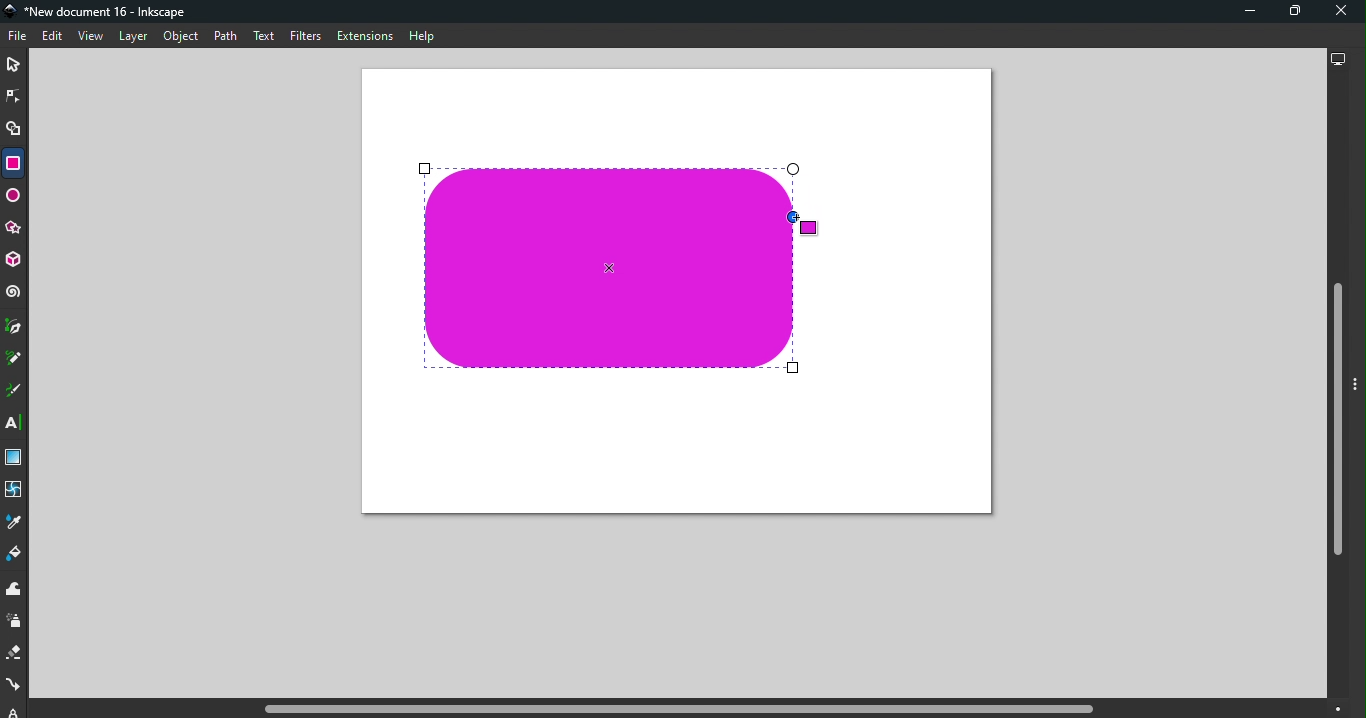 This screenshot has height=718, width=1366. I want to click on Cursor, so click(804, 222).